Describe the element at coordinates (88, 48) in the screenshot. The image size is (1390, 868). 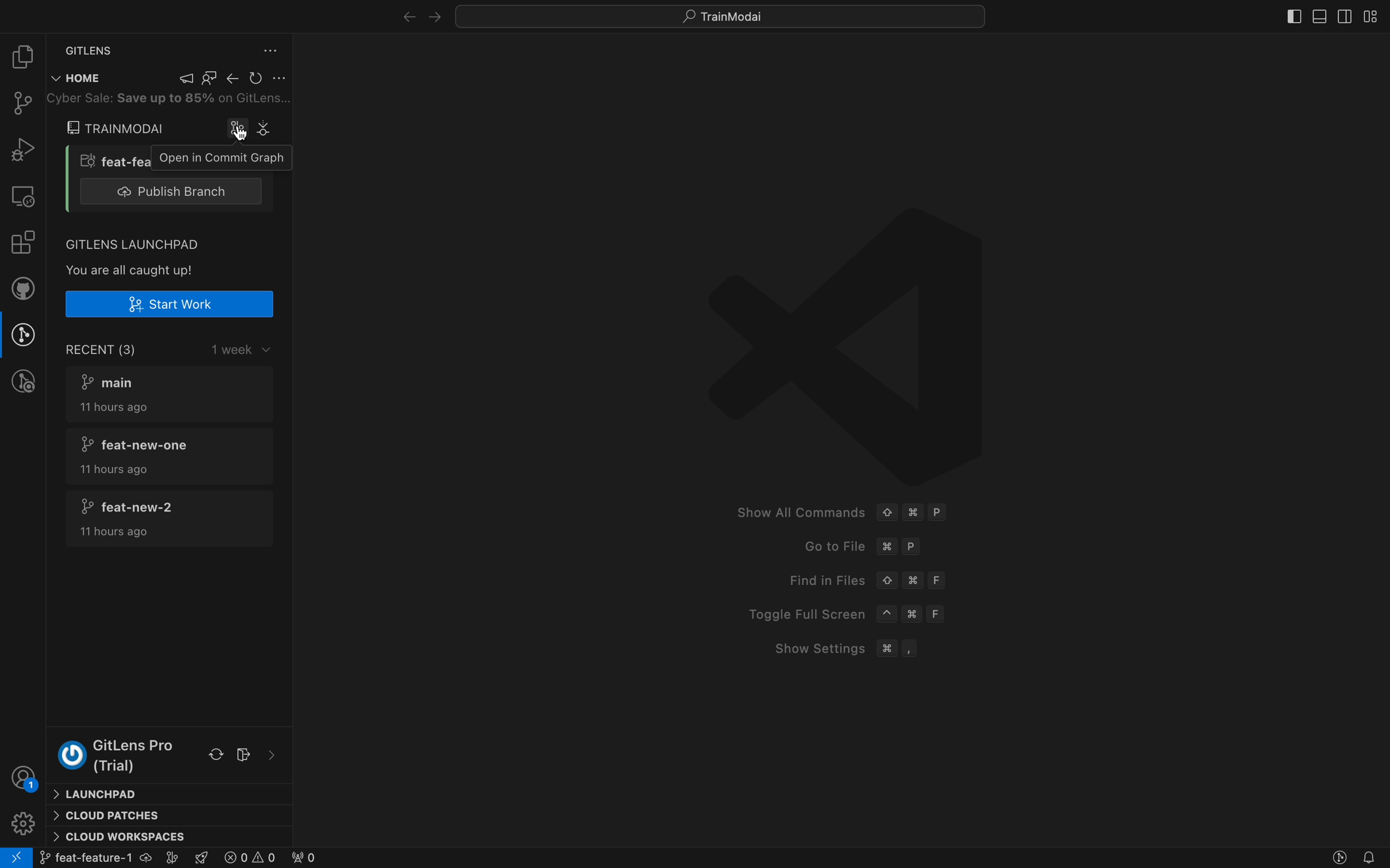
I see `GITLENS` at that location.